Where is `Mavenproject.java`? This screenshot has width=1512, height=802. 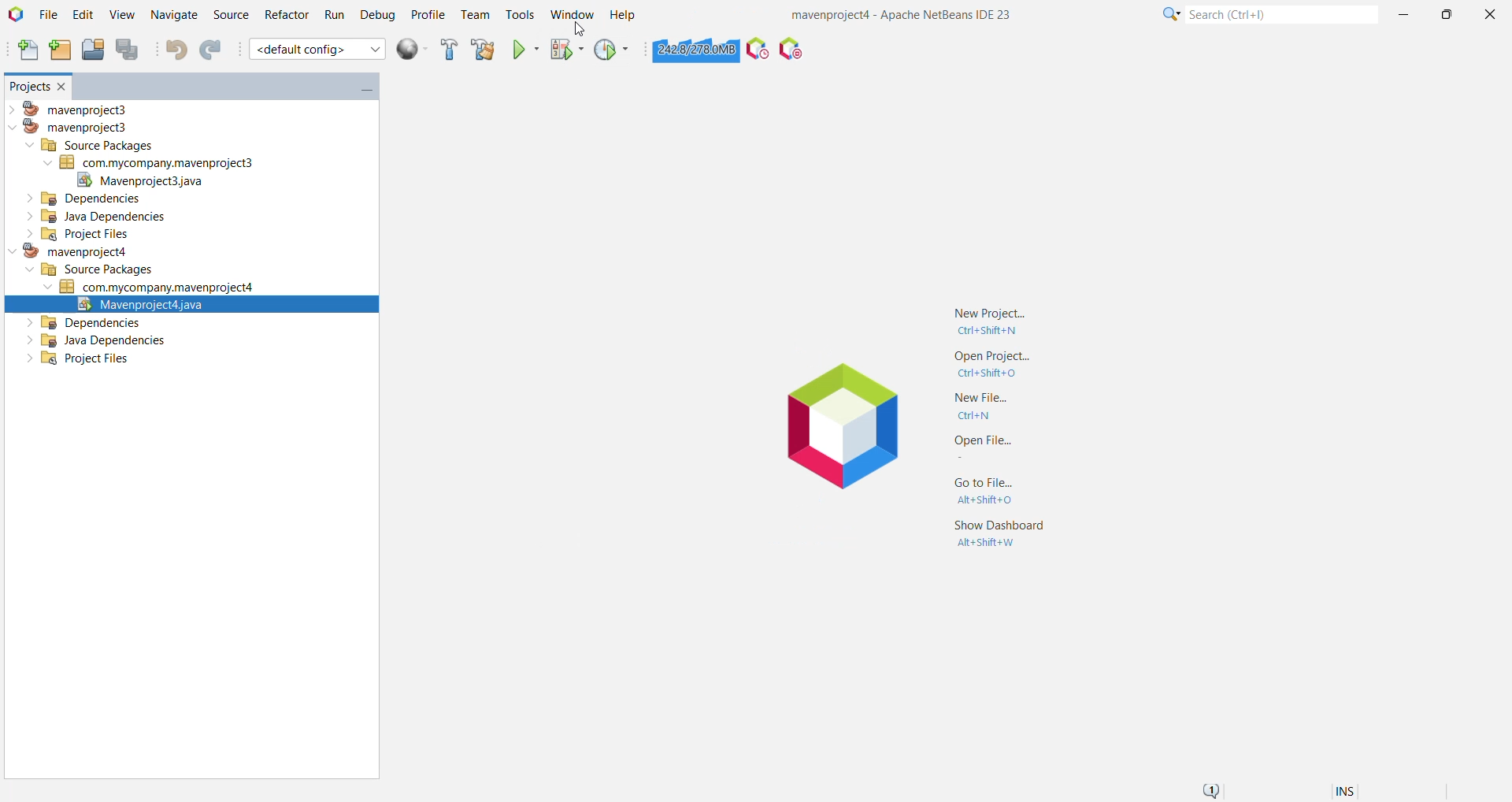
Mavenproject.java is located at coordinates (191, 304).